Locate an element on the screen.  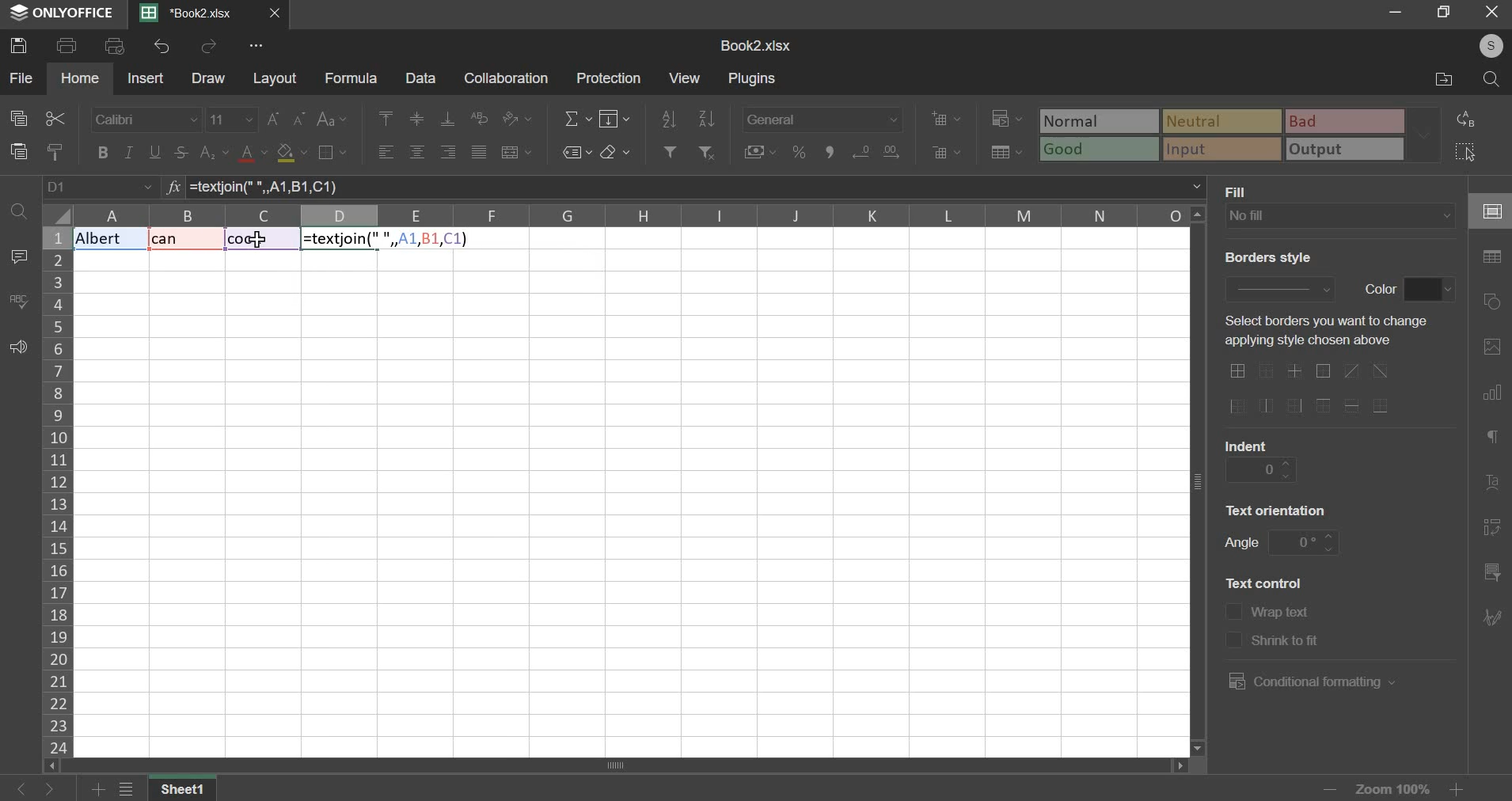
font size is located at coordinates (232, 119).